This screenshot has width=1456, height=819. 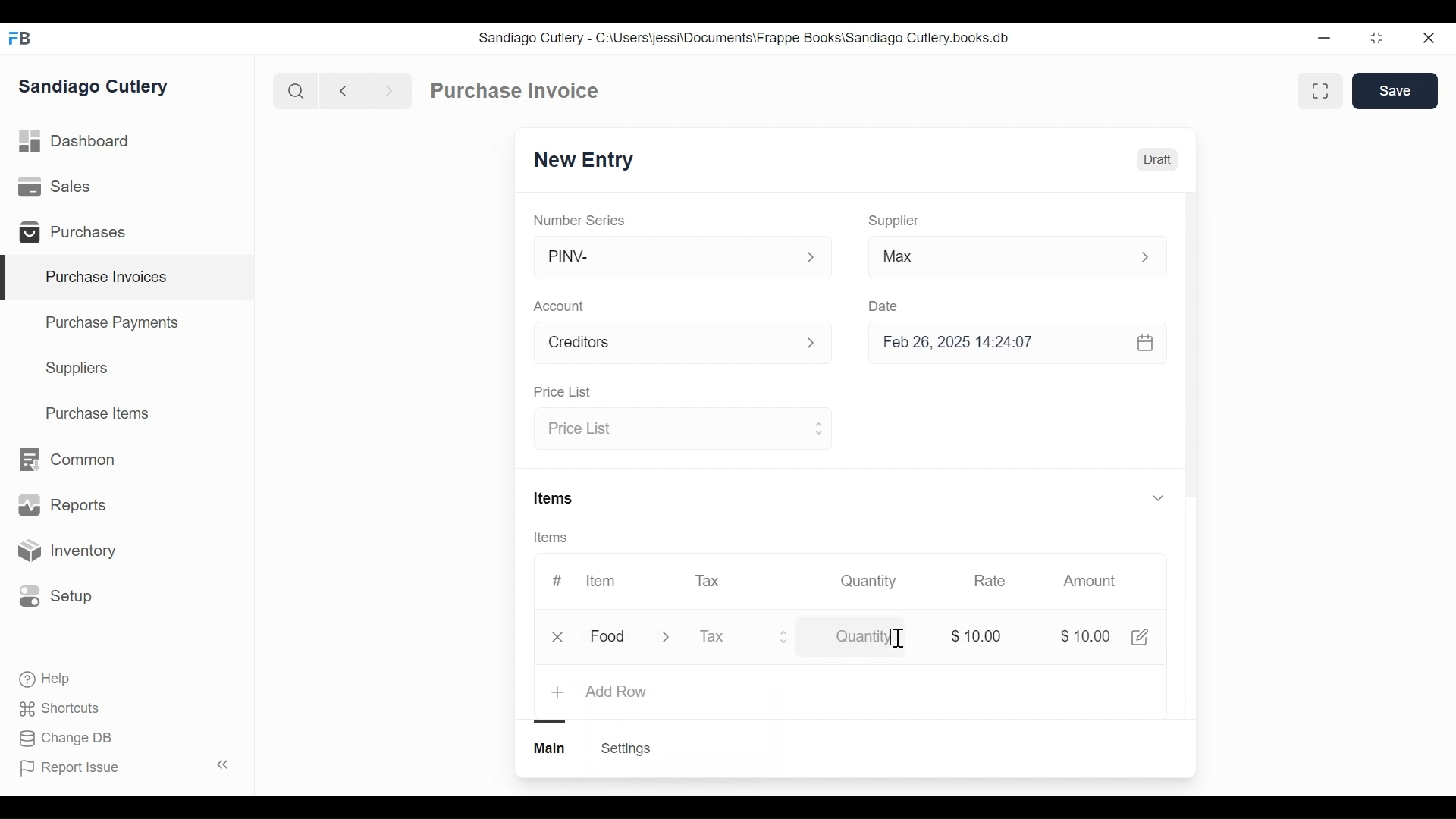 I want to click on Max, so click(x=987, y=259).